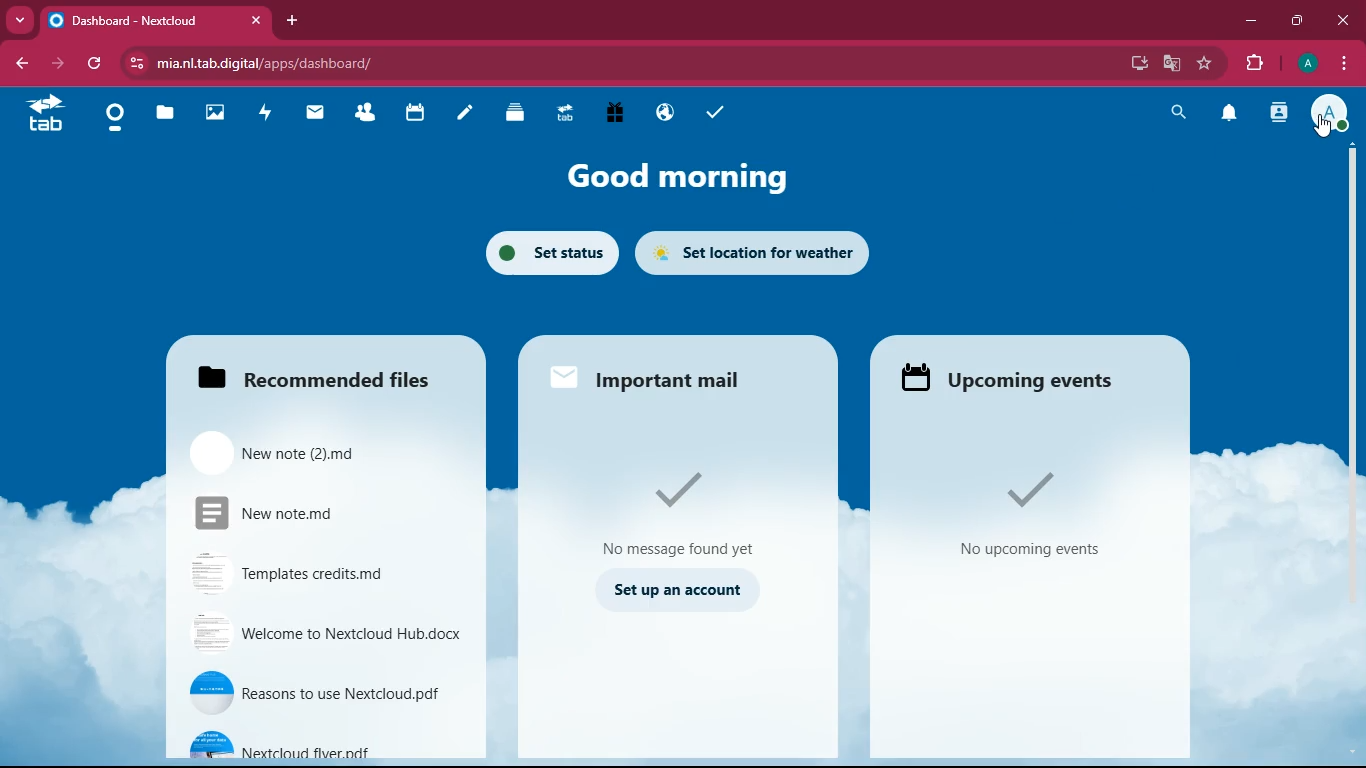 This screenshot has width=1366, height=768. I want to click on Contacts, so click(368, 114).